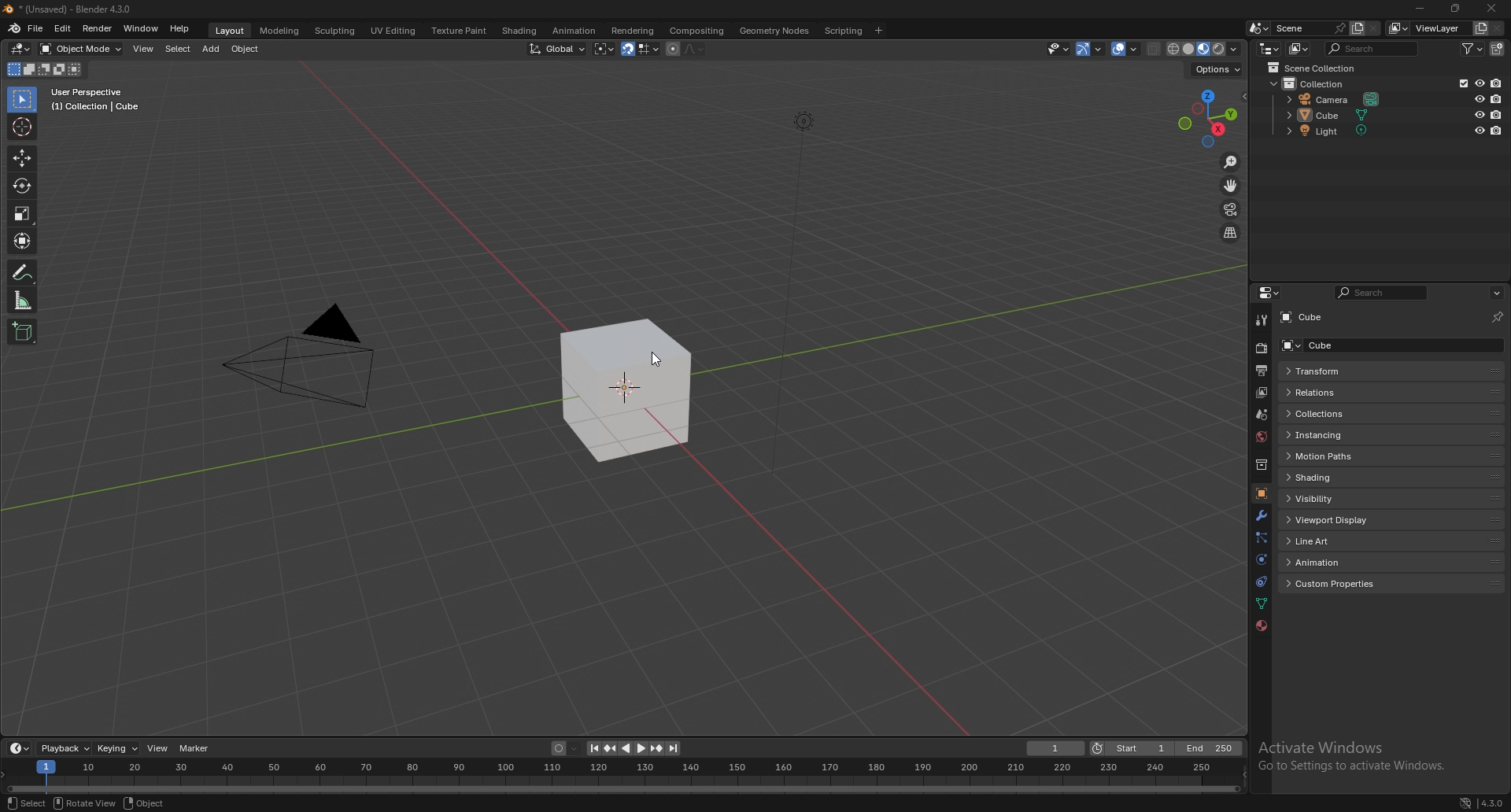 The height and width of the screenshot is (812, 1511). Describe the element at coordinates (1336, 115) in the screenshot. I see `cube` at that location.